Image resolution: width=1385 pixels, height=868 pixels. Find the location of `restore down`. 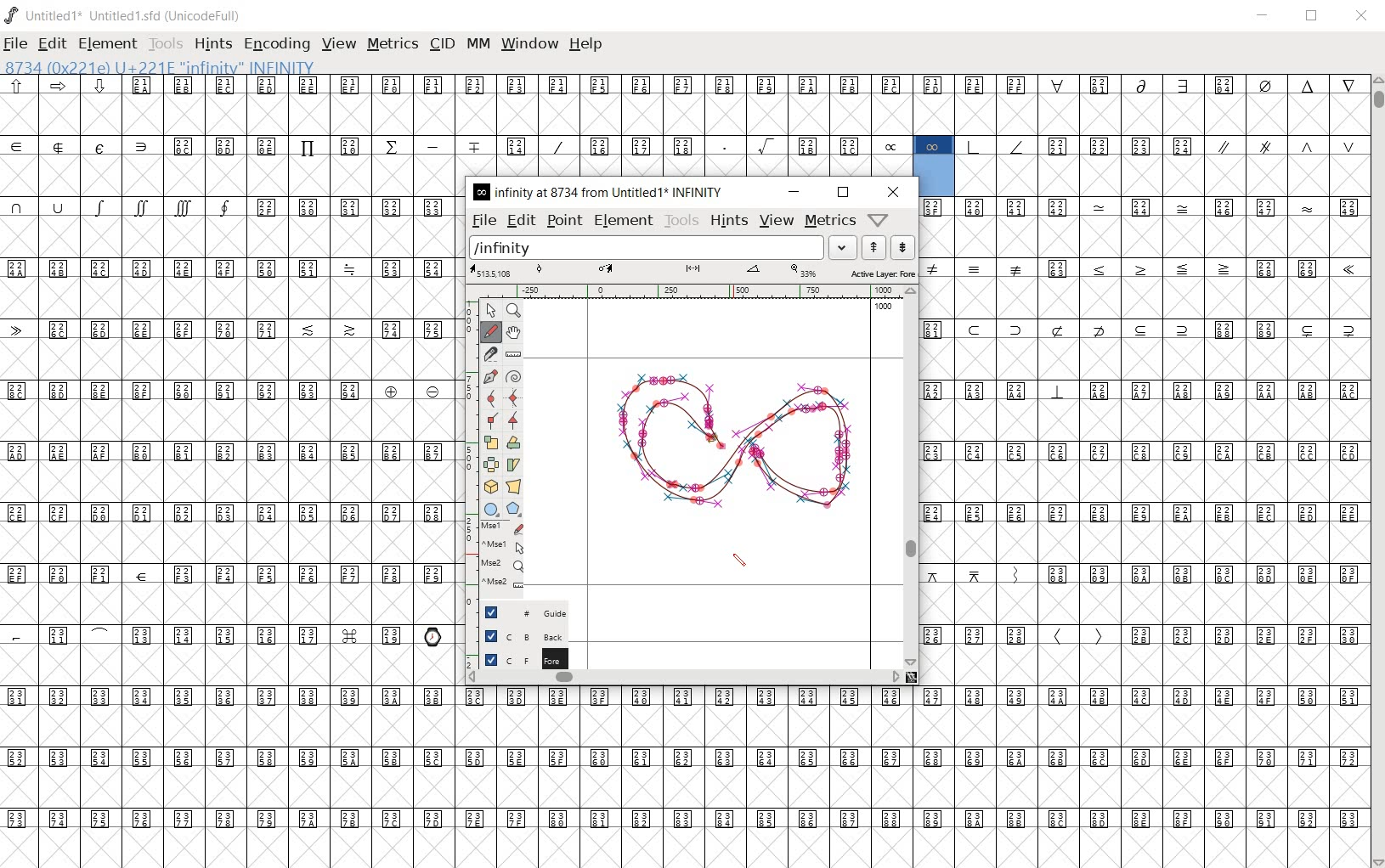

restore down is located at coordinates (843, 193).